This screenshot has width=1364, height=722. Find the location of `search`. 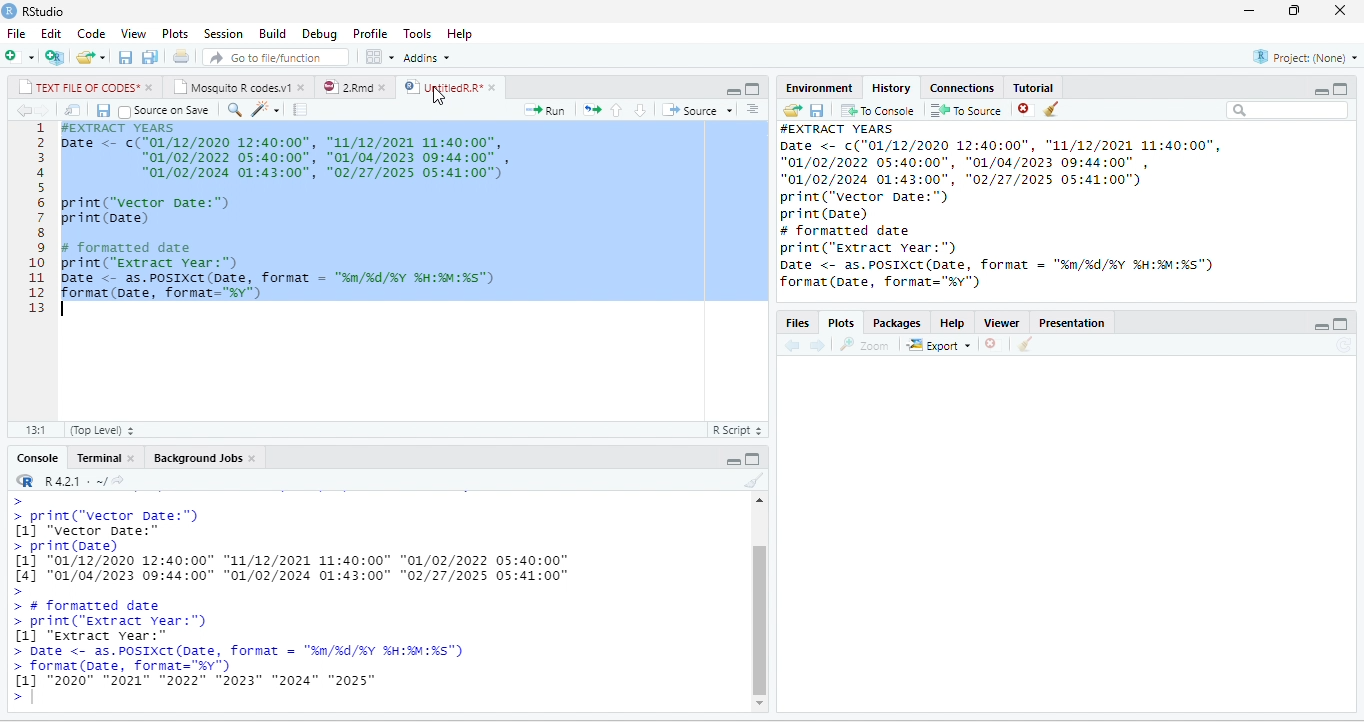

search is located at coordinates (234, 110).